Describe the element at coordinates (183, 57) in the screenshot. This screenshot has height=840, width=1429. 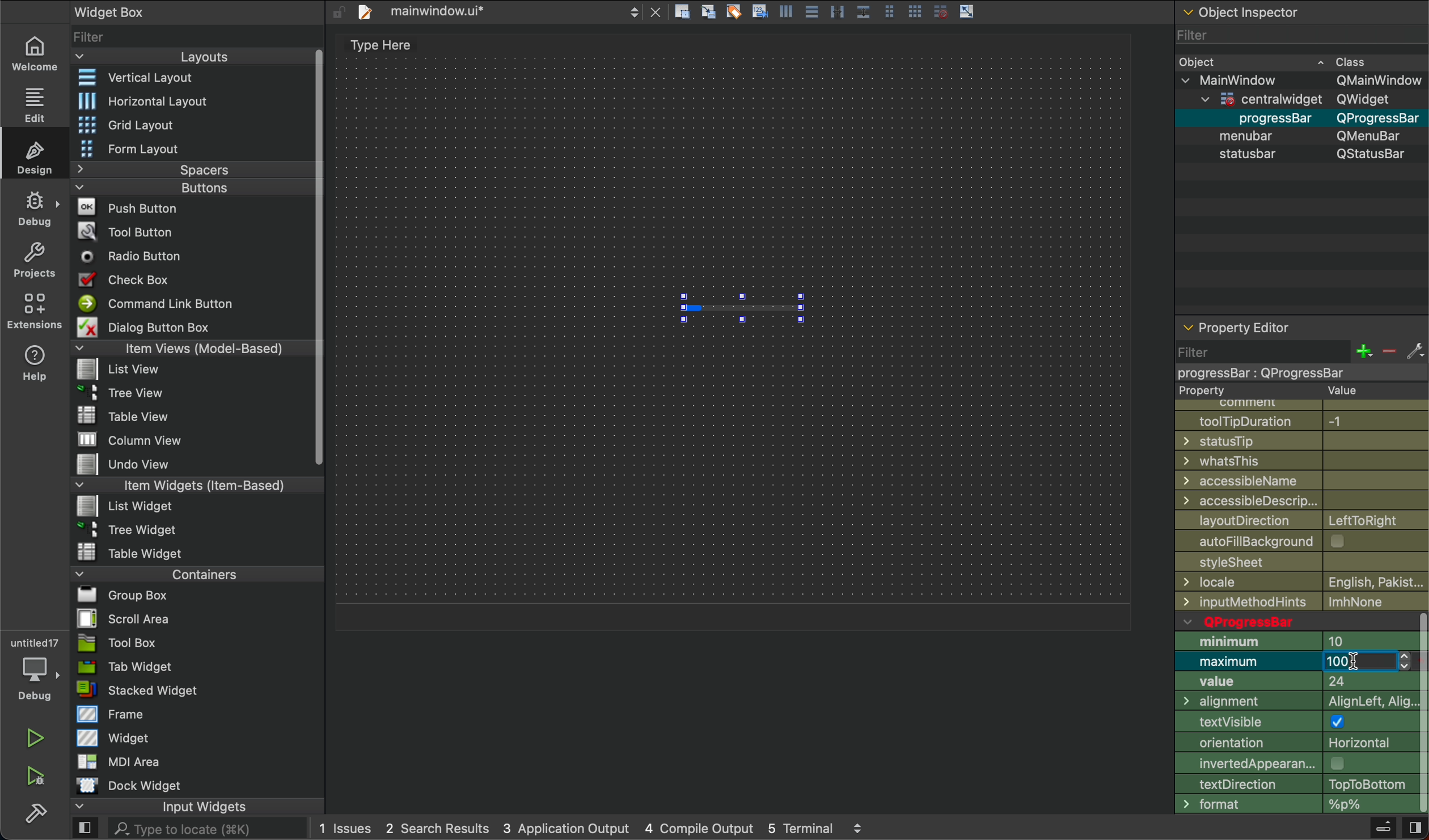
I see `Layout` at that location.